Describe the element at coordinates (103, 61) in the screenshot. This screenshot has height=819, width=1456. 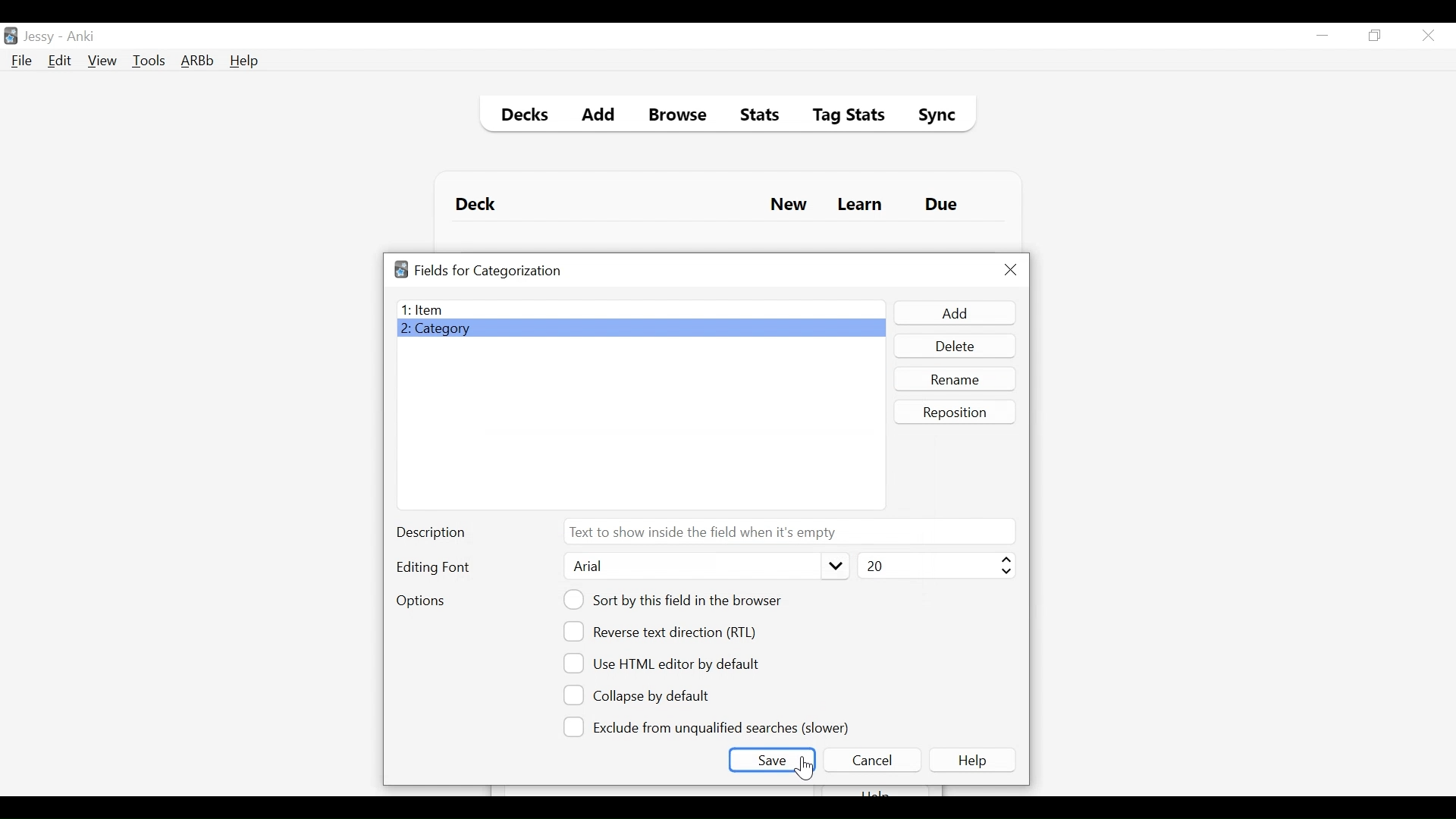
I see `View` at that location.